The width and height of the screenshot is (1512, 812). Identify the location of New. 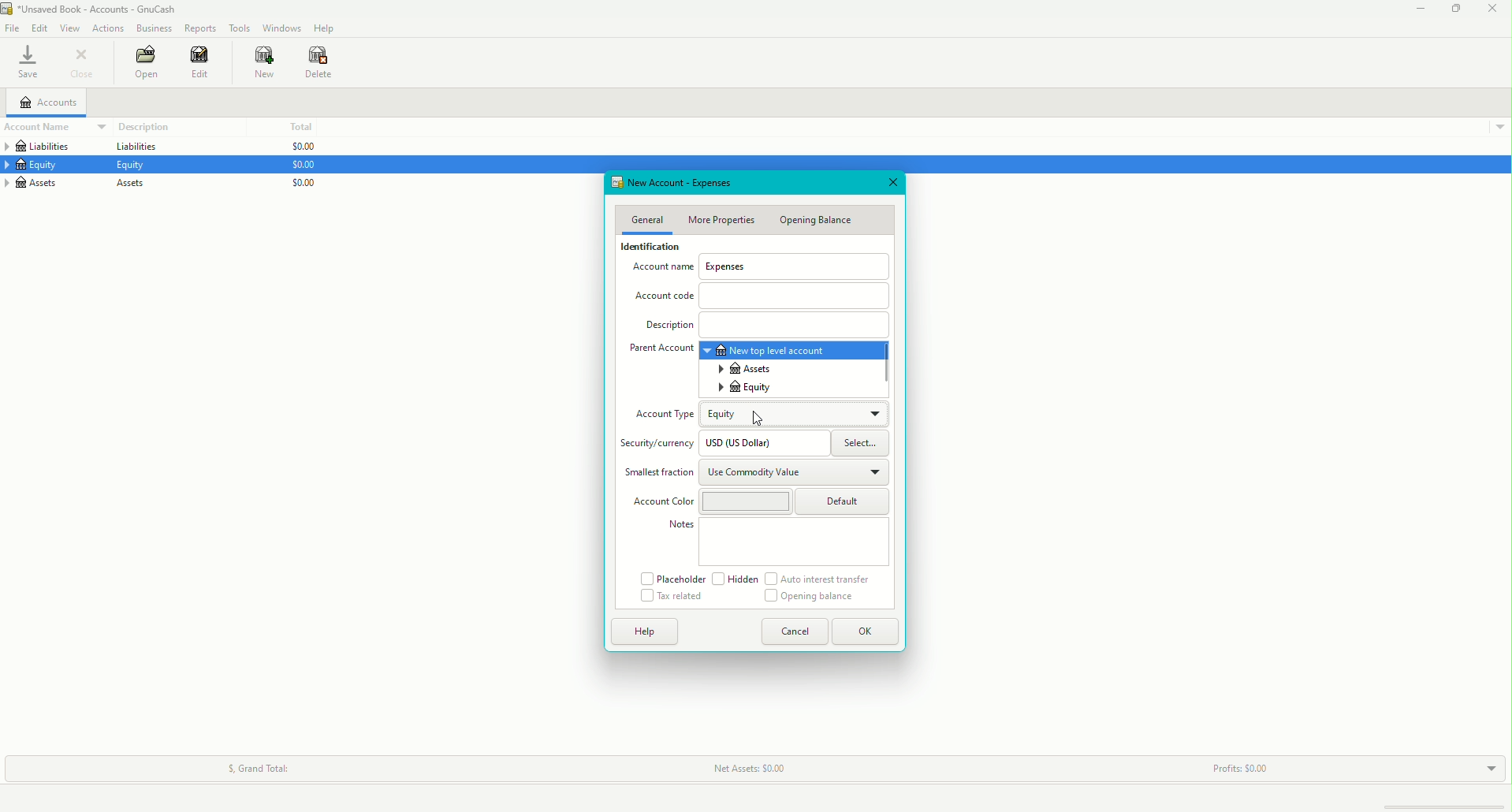
(261, 63).